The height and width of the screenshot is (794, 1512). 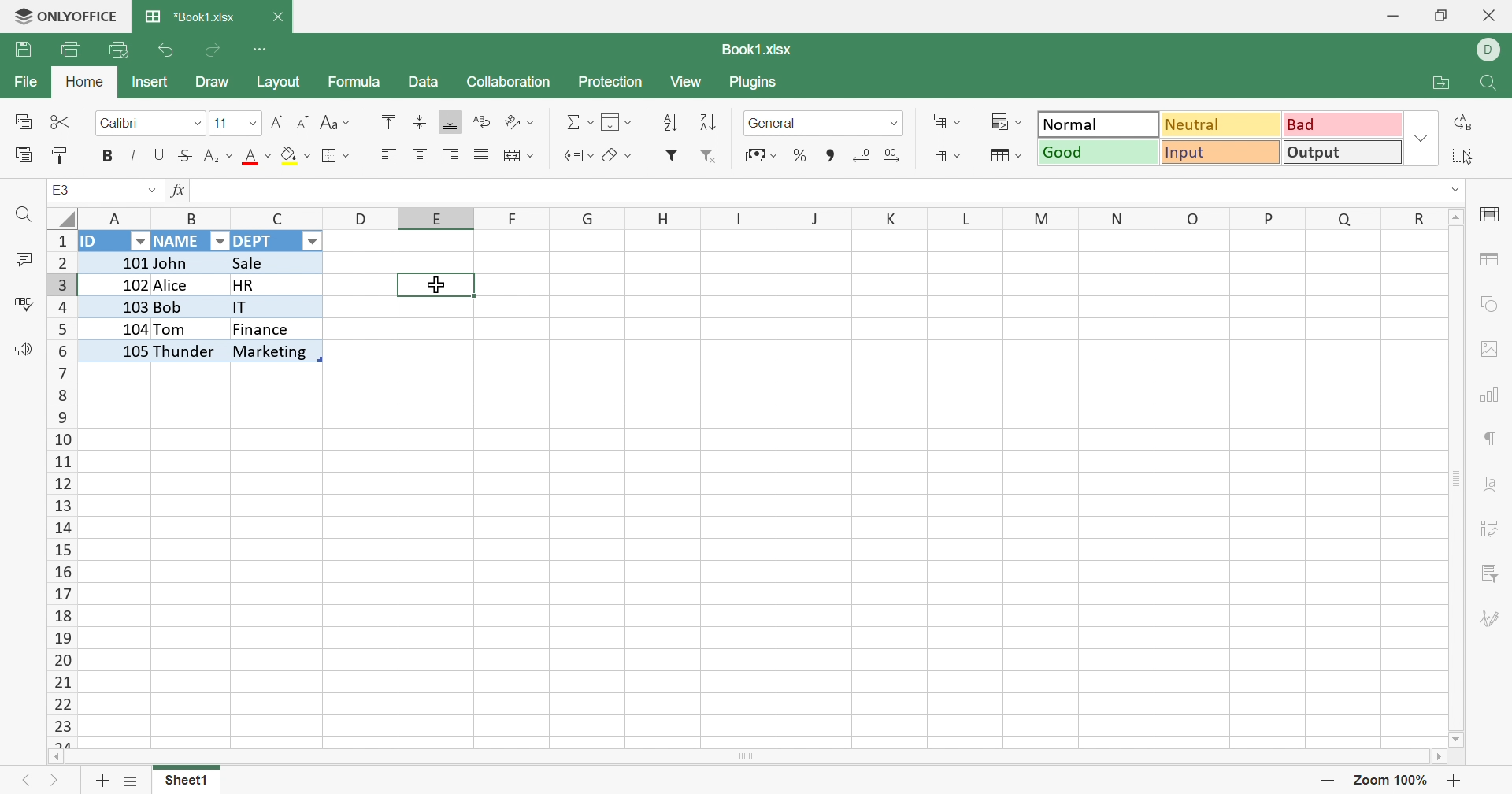 I want to click on Formula, so click(x=356, y=82).